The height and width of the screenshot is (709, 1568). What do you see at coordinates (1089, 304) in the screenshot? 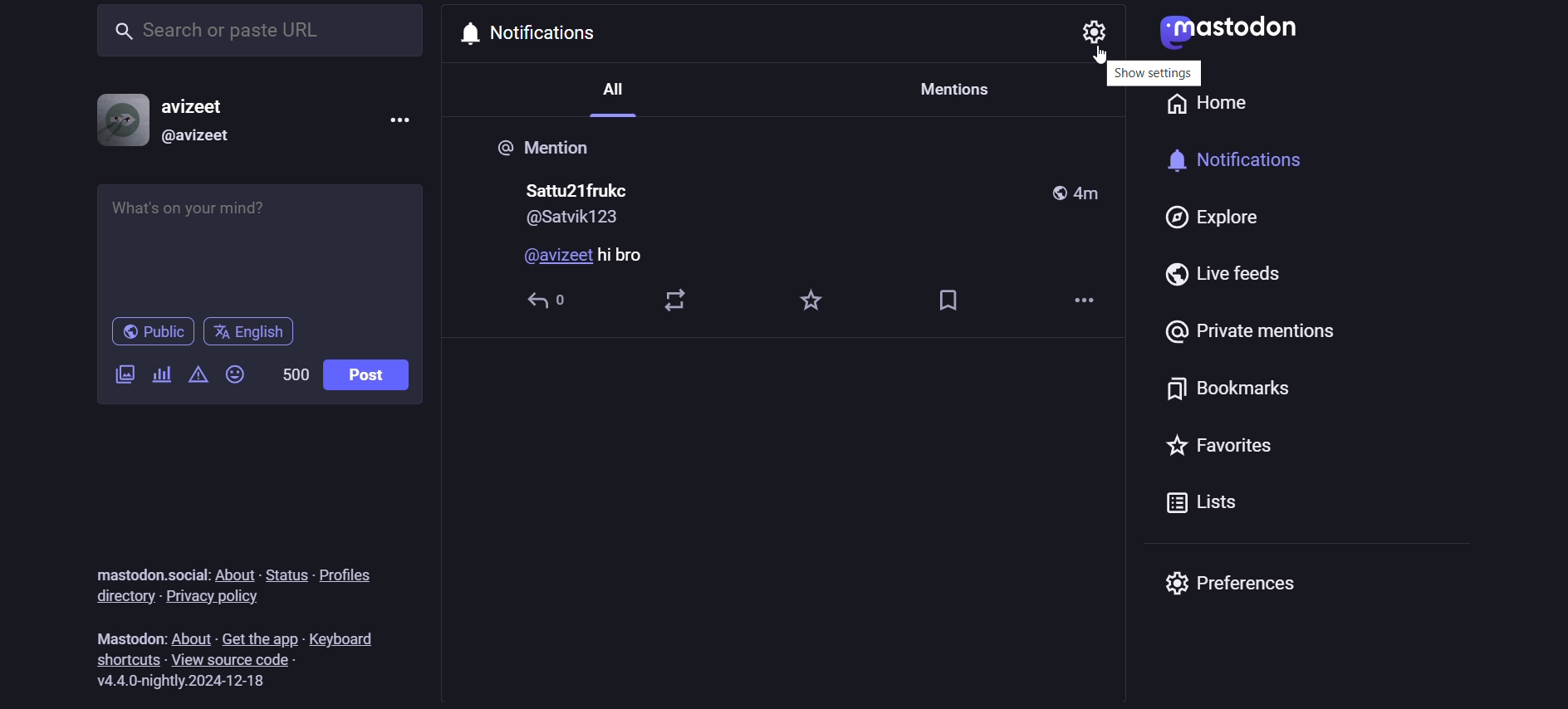
I see `more information` at bounding box center [1089, 304].